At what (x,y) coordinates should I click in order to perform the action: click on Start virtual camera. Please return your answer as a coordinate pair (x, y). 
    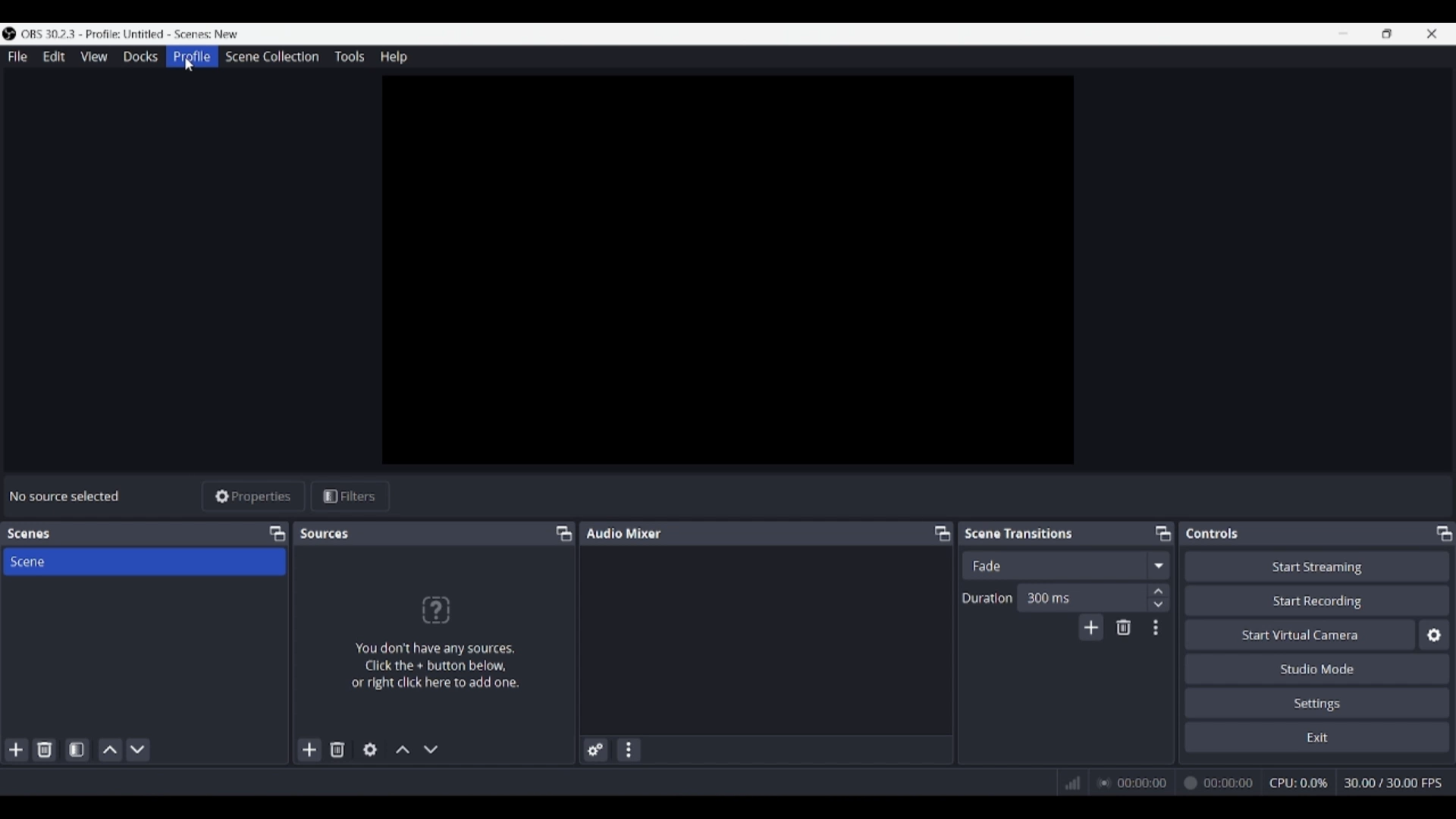
    Looking at the image, I should click on (1300, 634).